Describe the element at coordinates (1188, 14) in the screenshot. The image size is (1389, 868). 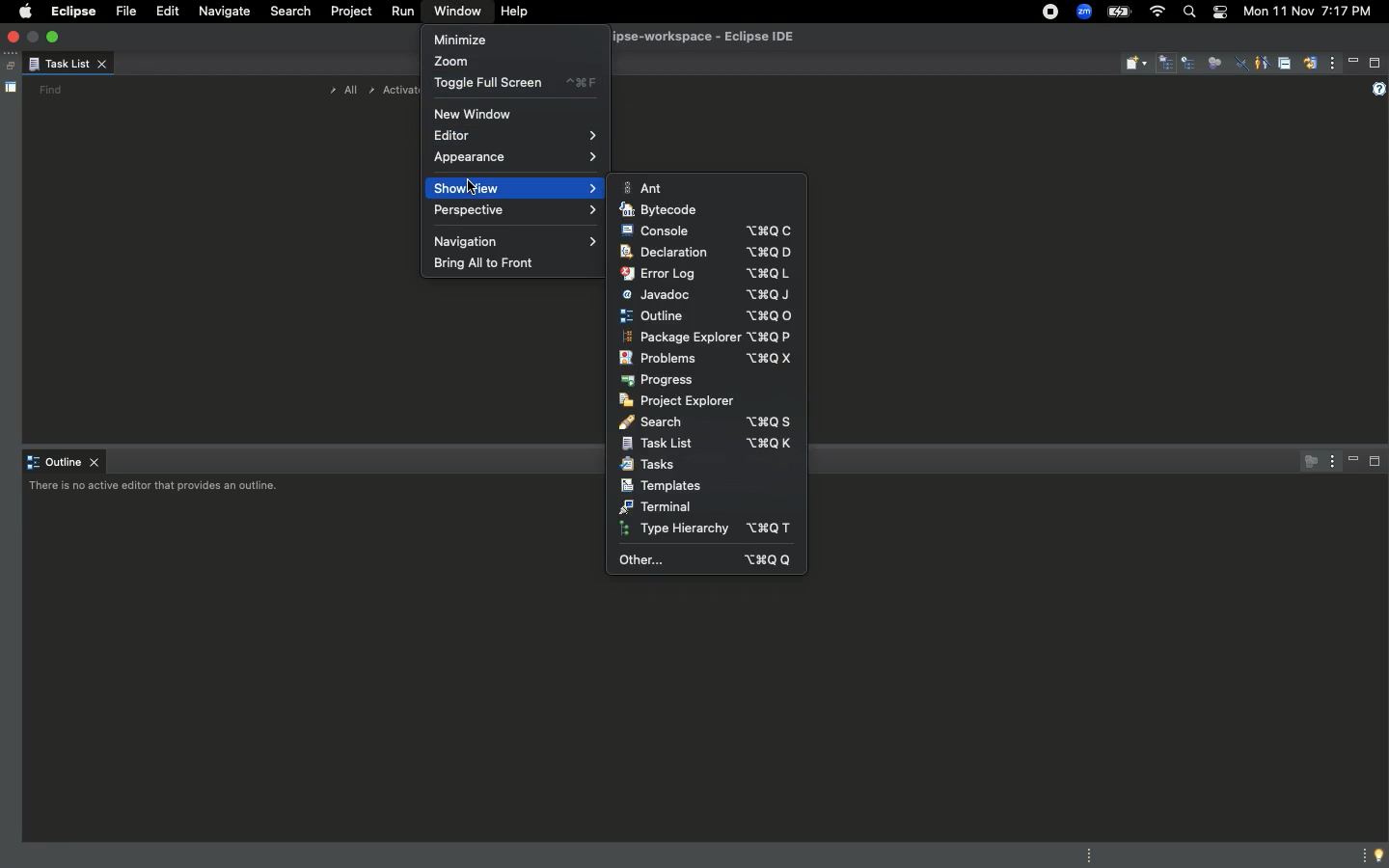
I see `Search` at that location.